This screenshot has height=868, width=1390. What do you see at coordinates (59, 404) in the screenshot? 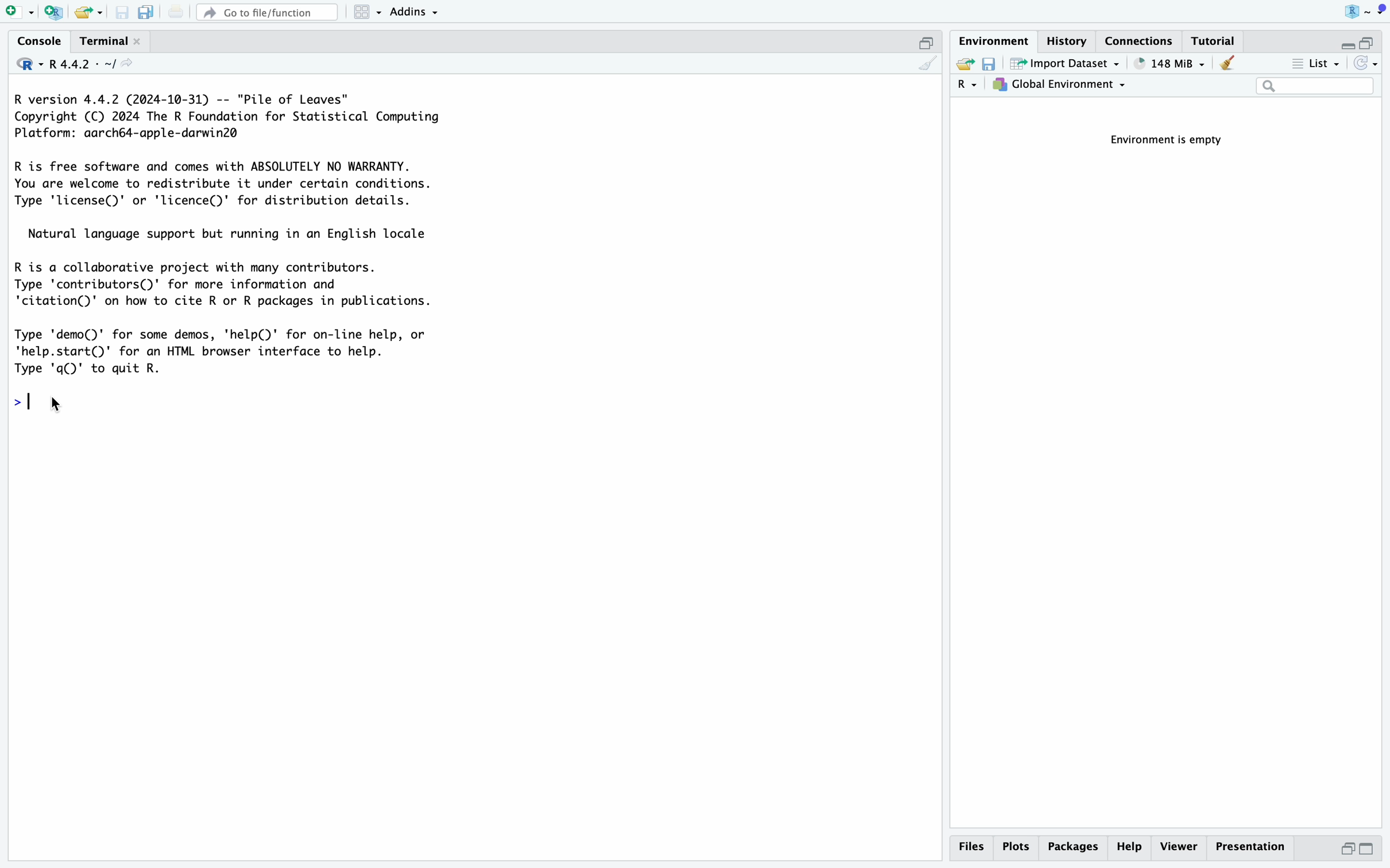
I see `cursor` at bounding box center [59, 404].